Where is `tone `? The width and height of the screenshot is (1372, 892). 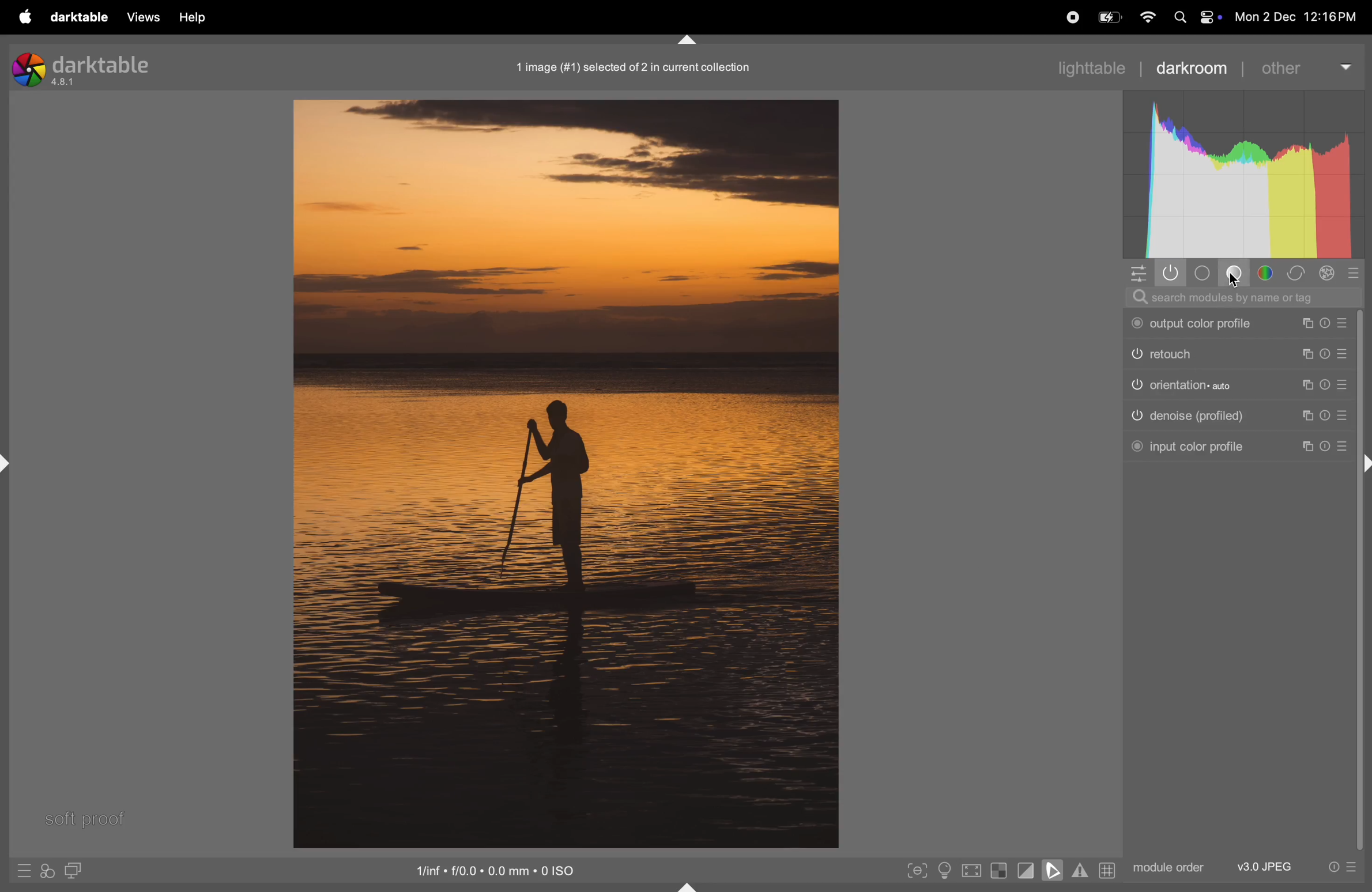
tone  is located at coordinates (1206, 273).